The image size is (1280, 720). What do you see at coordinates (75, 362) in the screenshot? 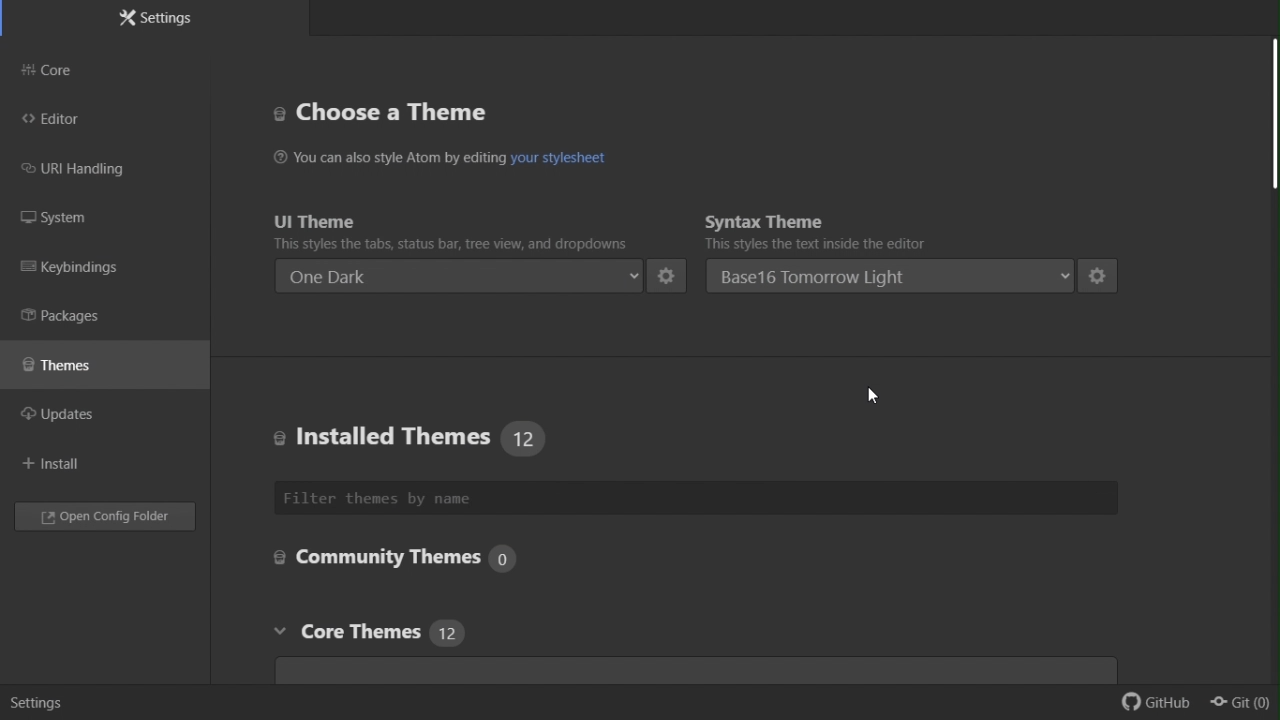
I see `themes` at bounding box center [75, 362].